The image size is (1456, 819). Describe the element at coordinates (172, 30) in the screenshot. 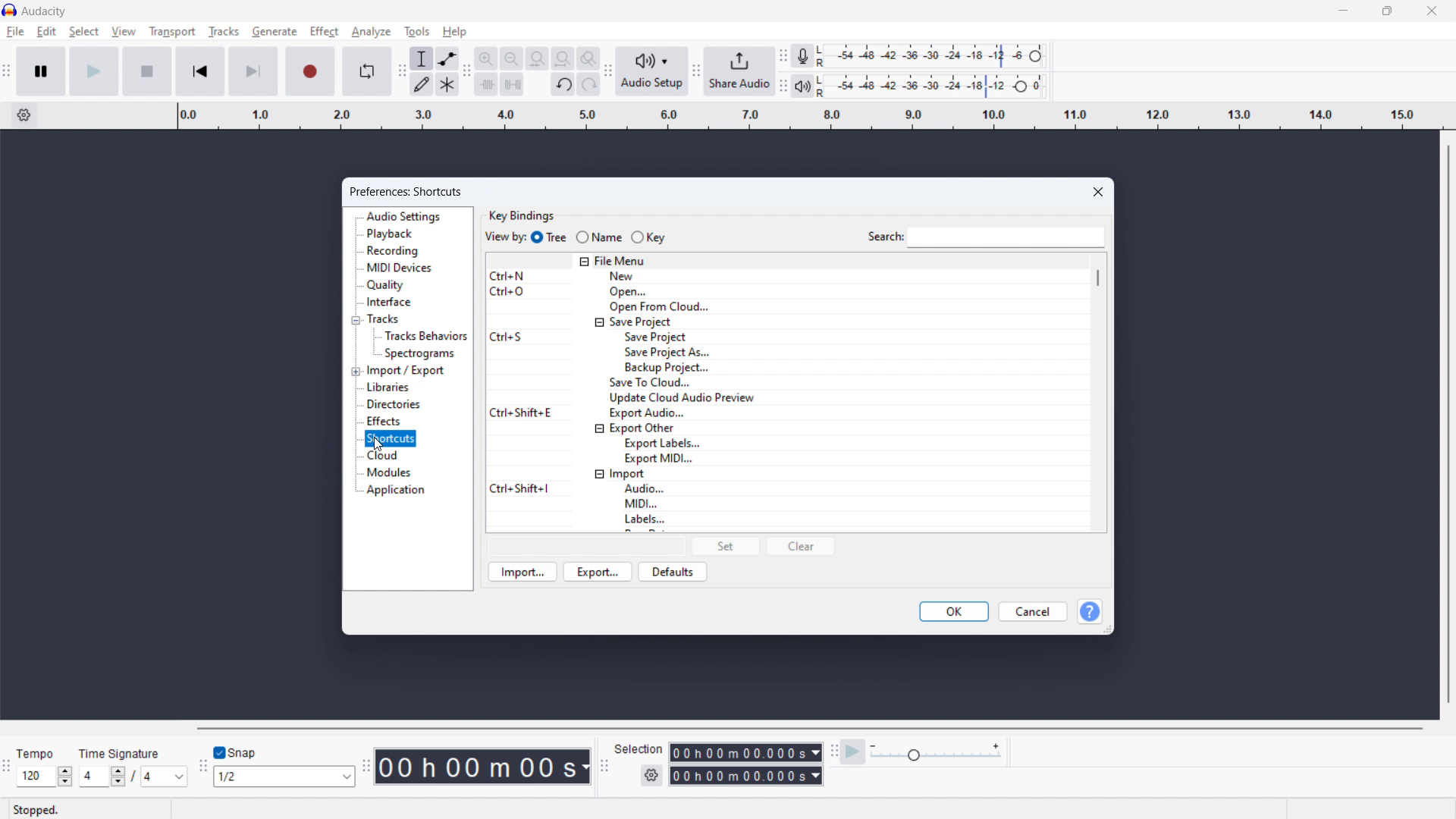

I see `transport` at that location.